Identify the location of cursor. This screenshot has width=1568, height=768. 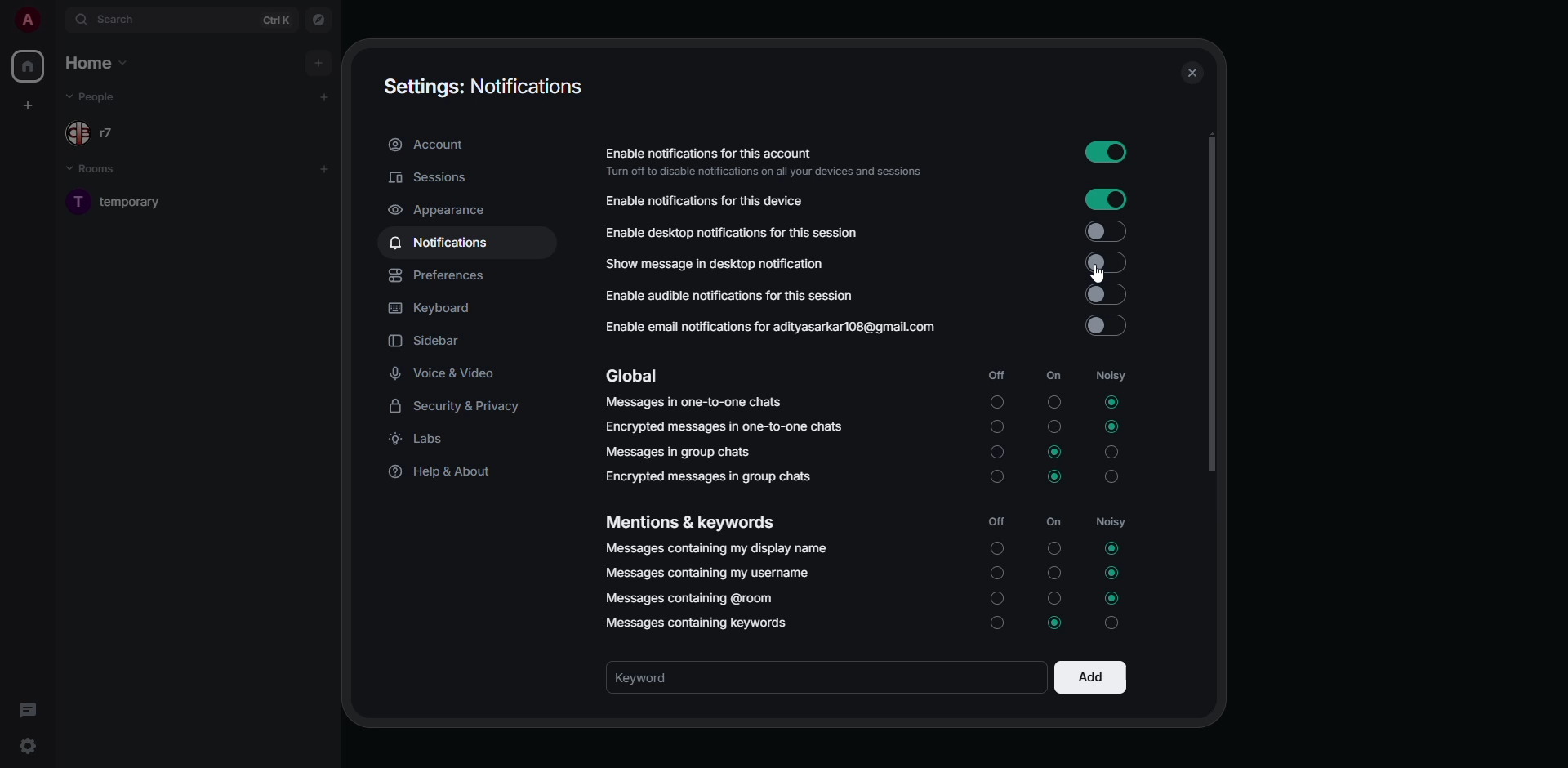
(1094, 275).